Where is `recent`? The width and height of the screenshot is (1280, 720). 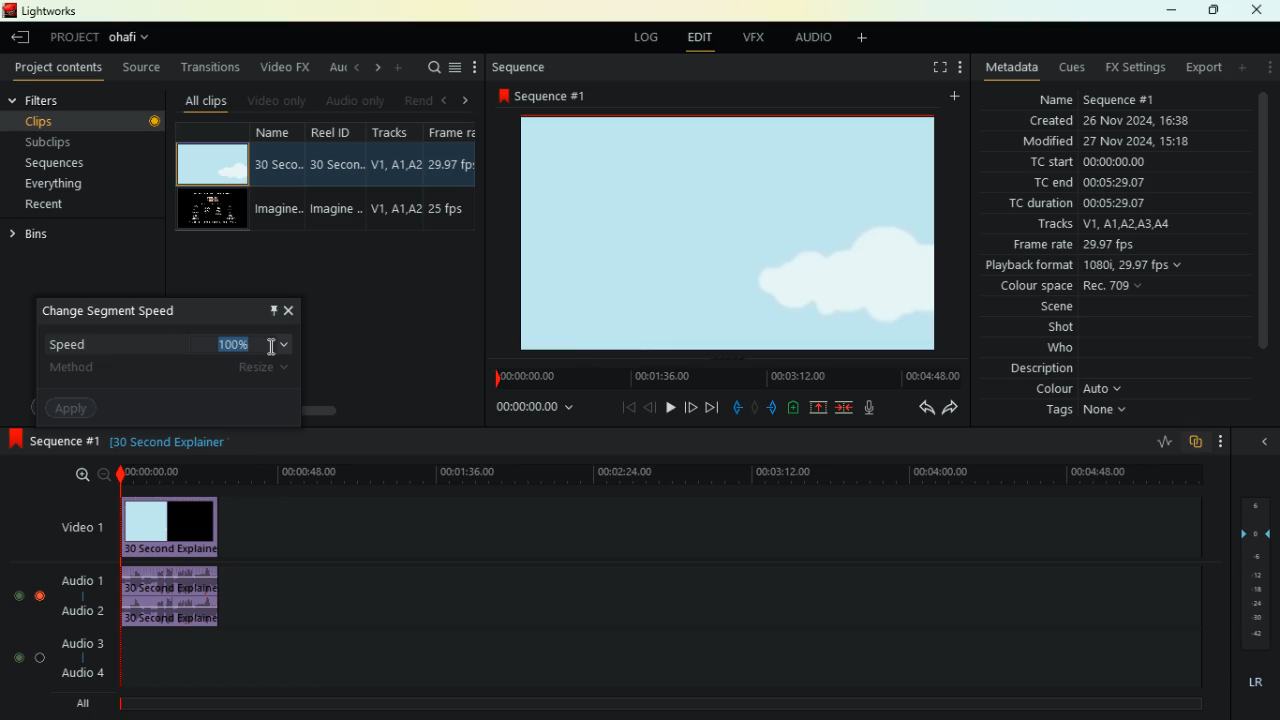 recent is located at coordinates (61, 204).